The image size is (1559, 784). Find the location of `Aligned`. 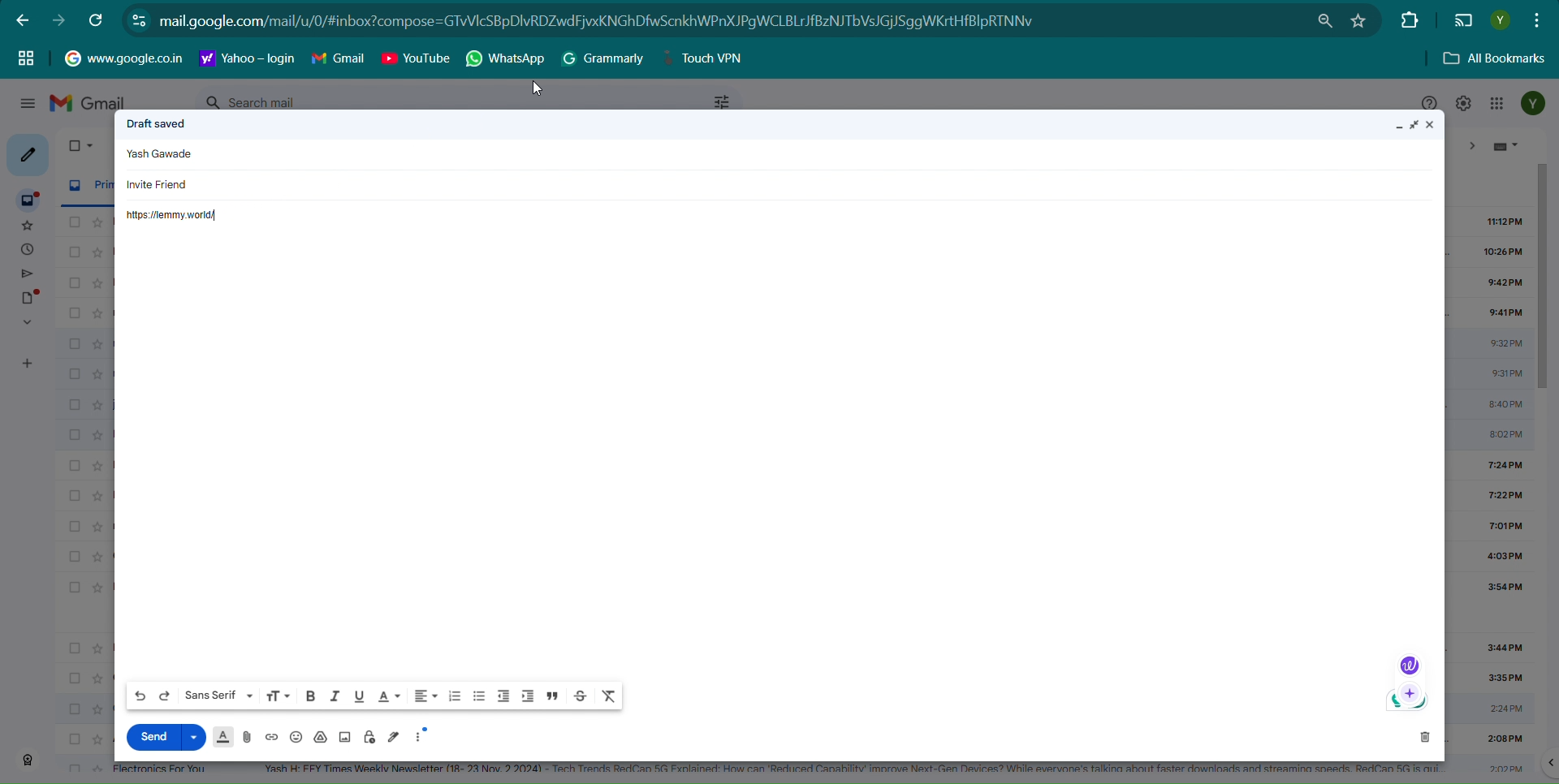

Aligned is located at coordinates (425, 696).